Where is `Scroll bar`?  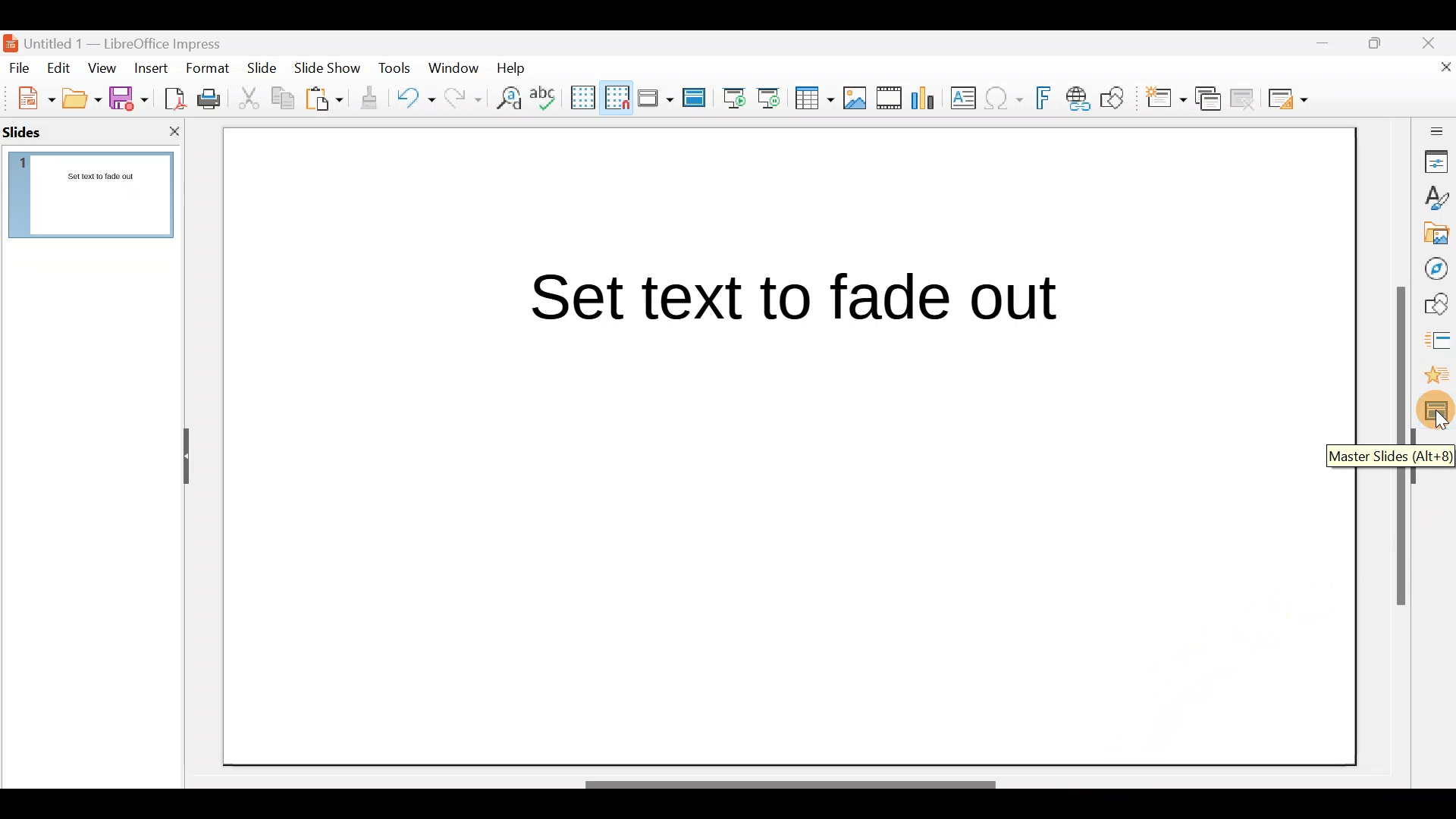 Scroll bar is located at coordinates (1398, 447).